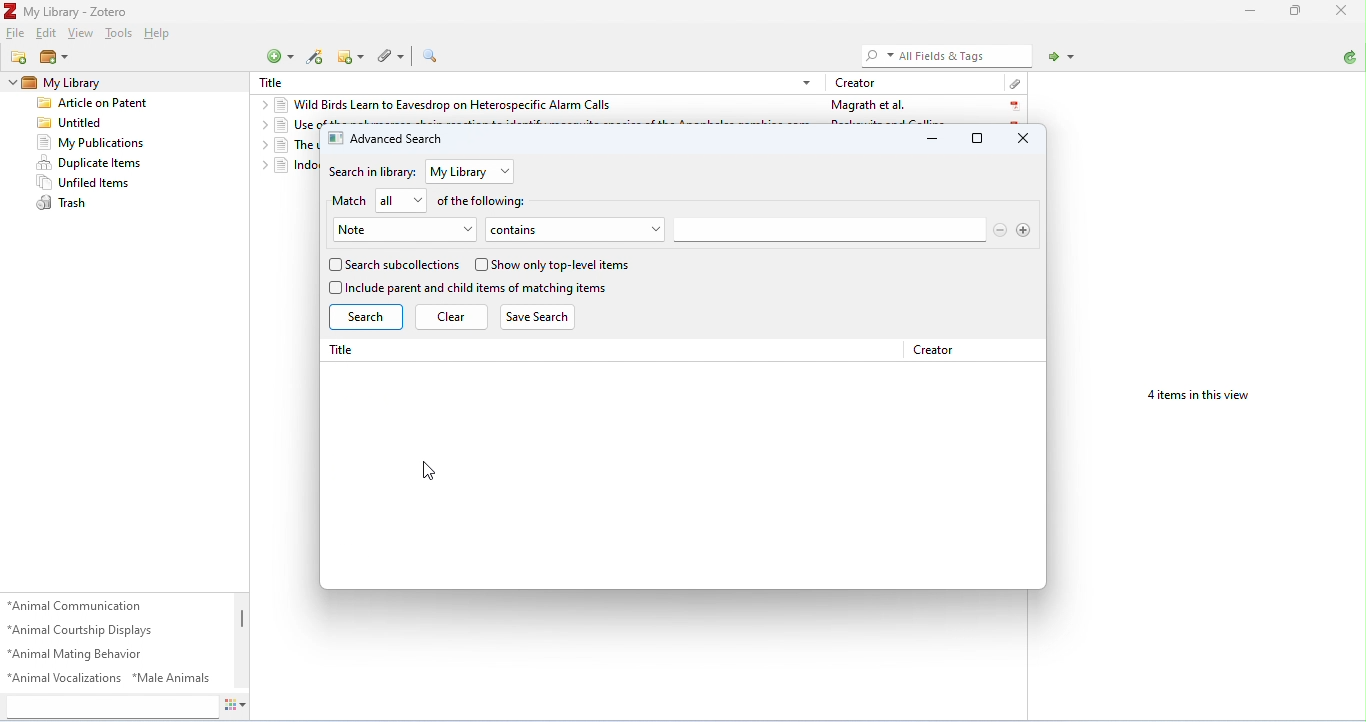  Describe the element at coordinates (1195, 397) in the screenshot. I see `4 items in this view` at that location.